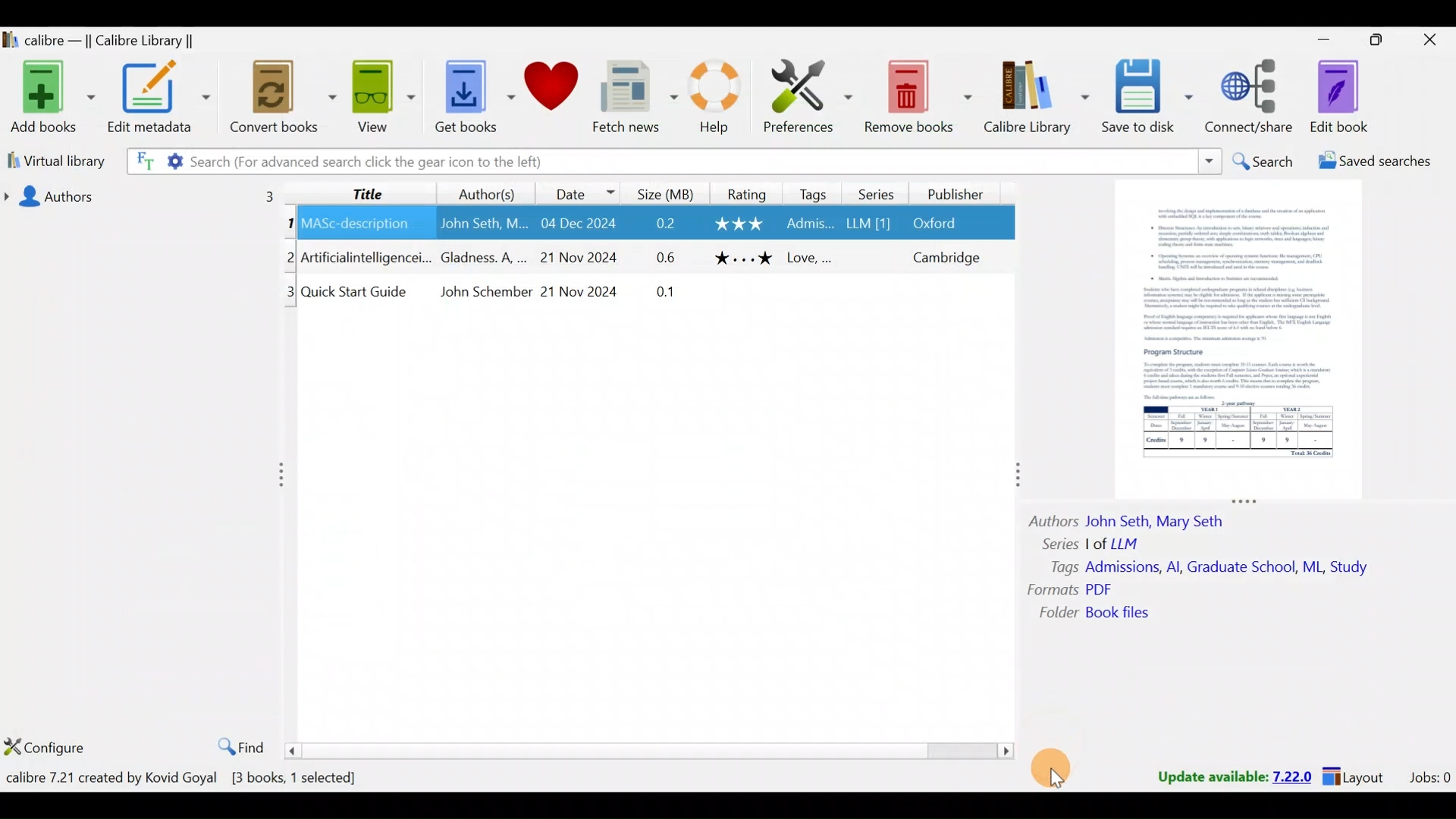 The height and width of the screenshot is (819, 1456). Describe the element at coordinates (143, 197) in the screenshot. I see `Authors` at that location.